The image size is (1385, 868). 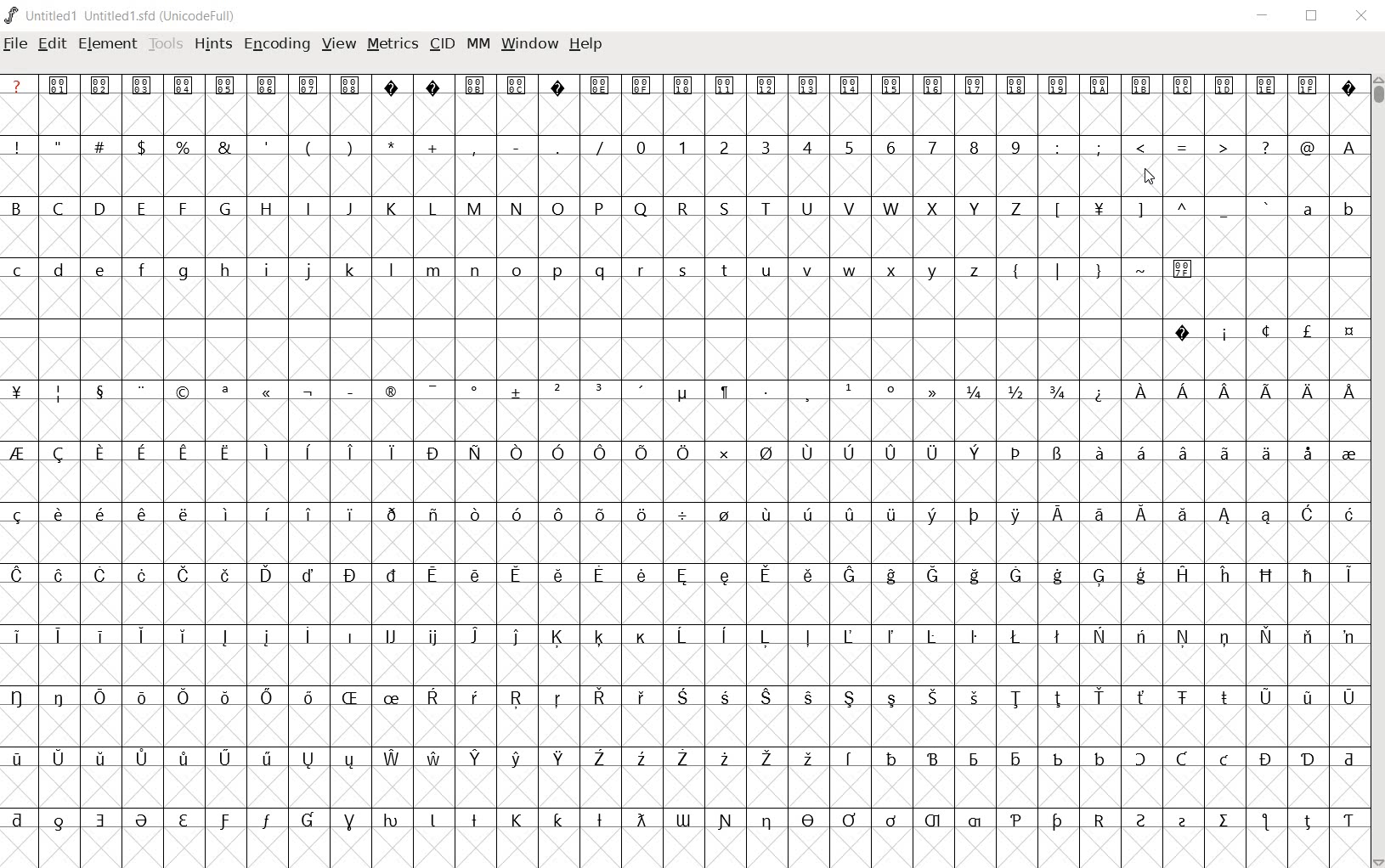 I want to click on close, so click(x=1363, y=17).